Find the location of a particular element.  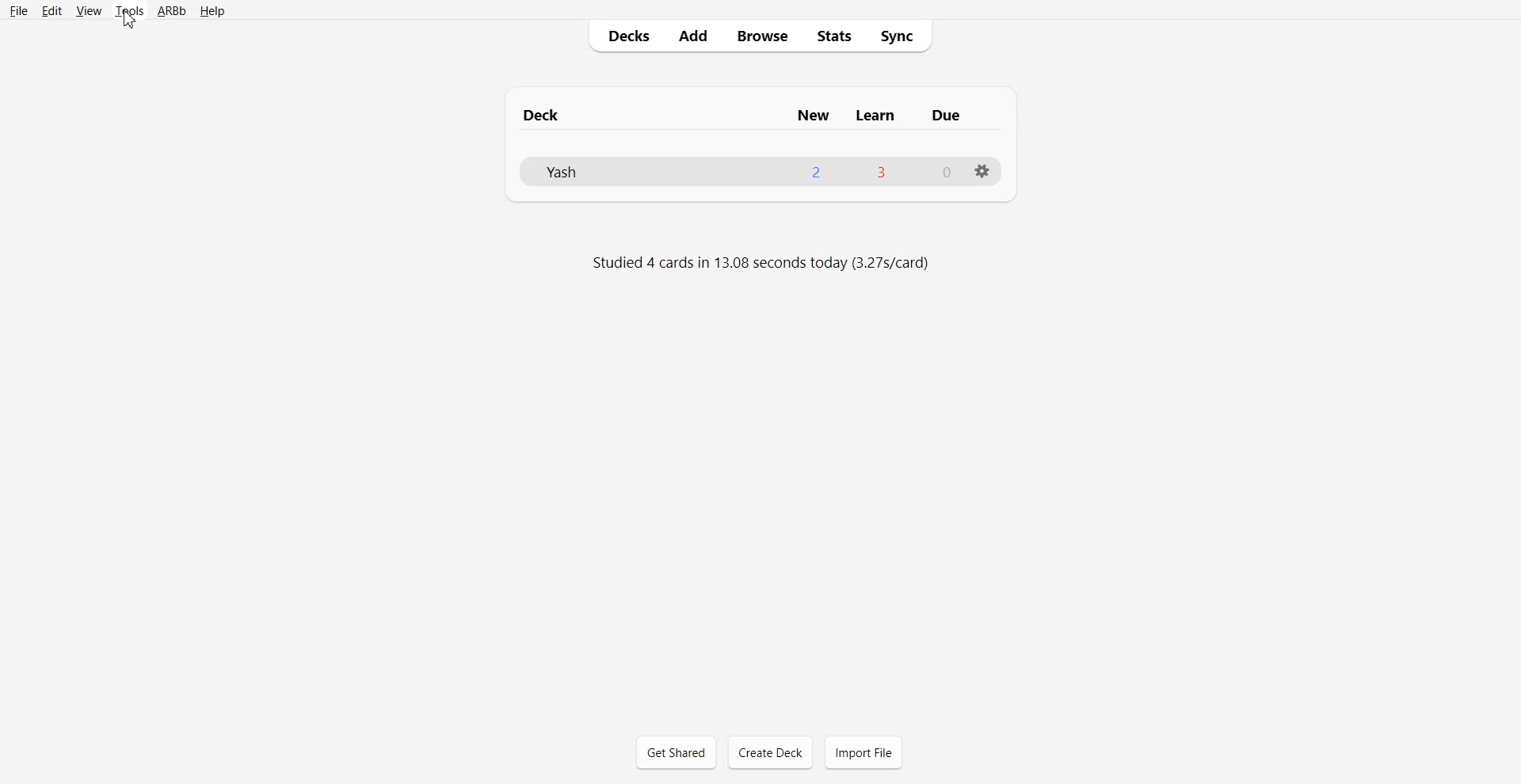

Settings is located at coordinates (982, 170).